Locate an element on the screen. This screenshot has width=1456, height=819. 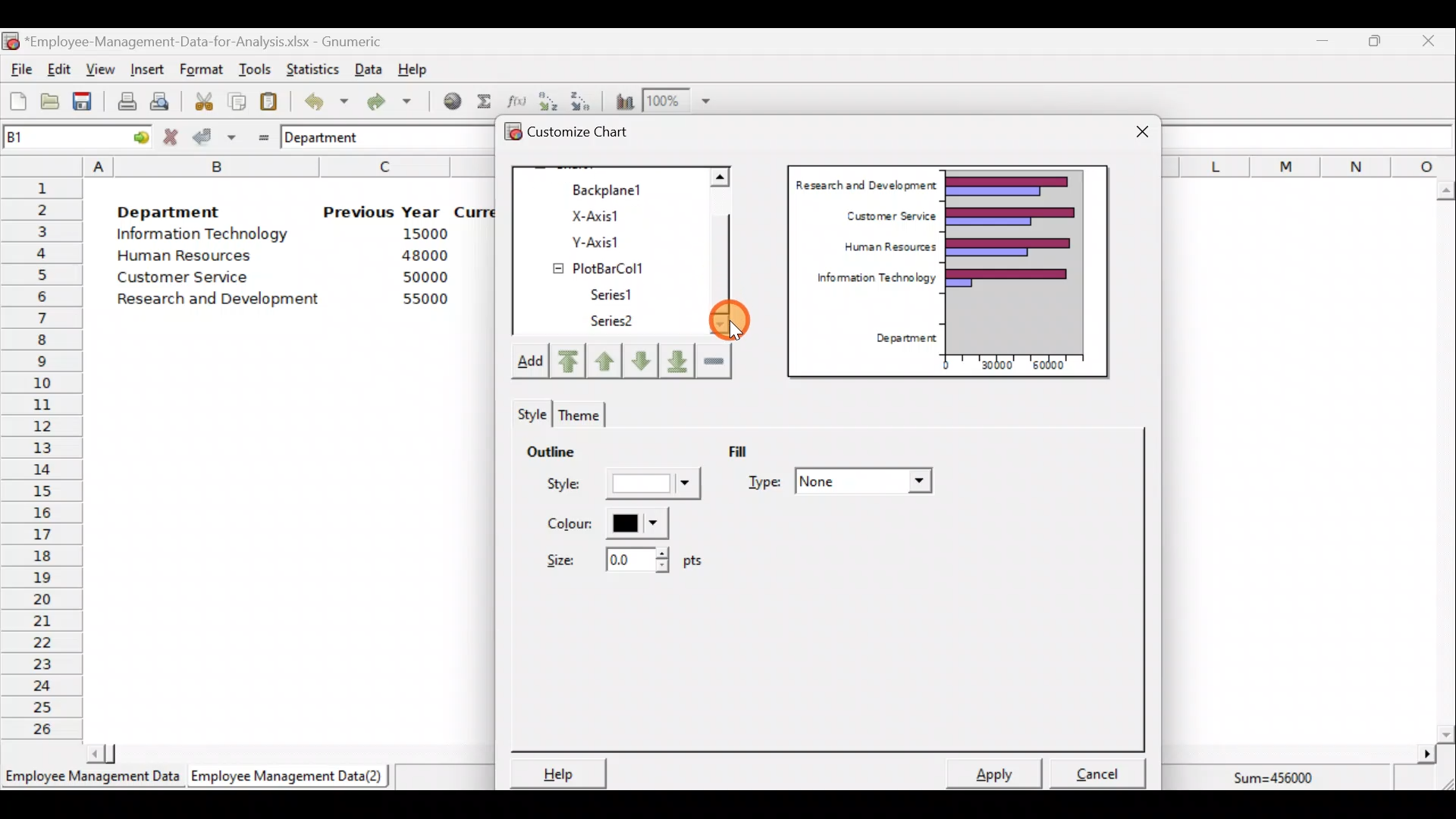
Move upward is located at coordinates (566, 362).